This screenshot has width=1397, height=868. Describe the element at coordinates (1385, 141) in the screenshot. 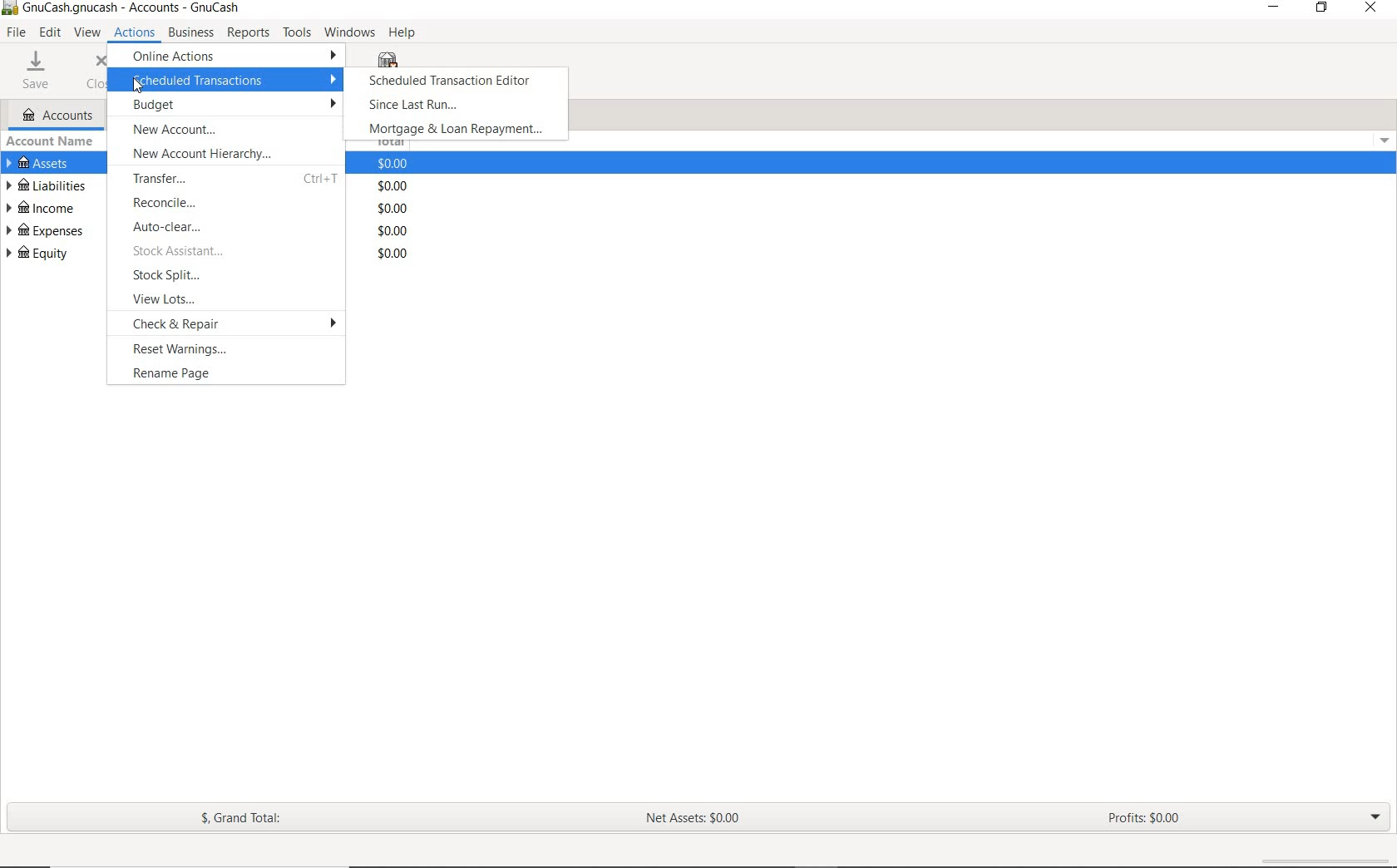

I see `Drop-down ` at that location.